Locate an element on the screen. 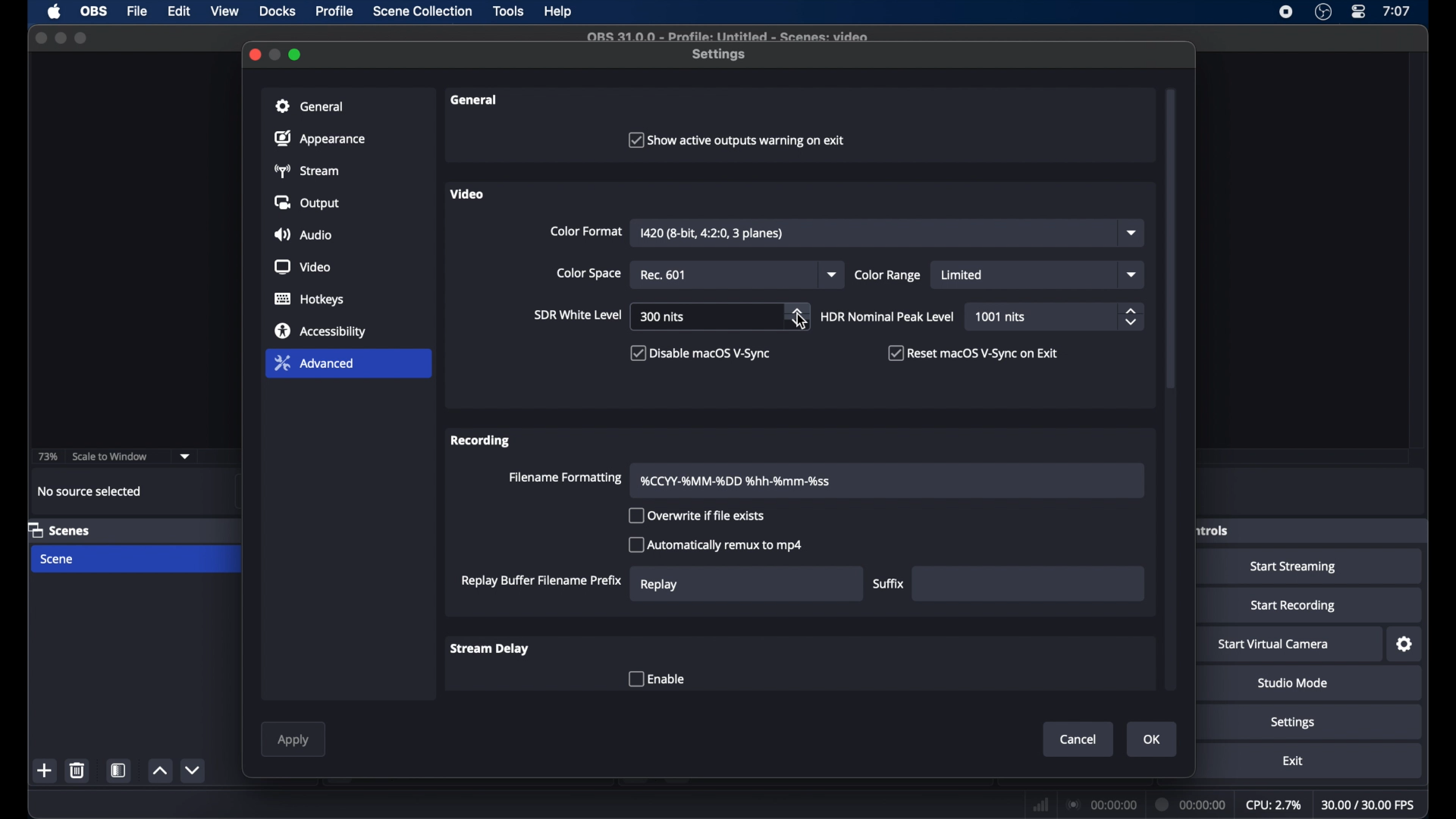  start streaming is located at coordinates (1294, 567).